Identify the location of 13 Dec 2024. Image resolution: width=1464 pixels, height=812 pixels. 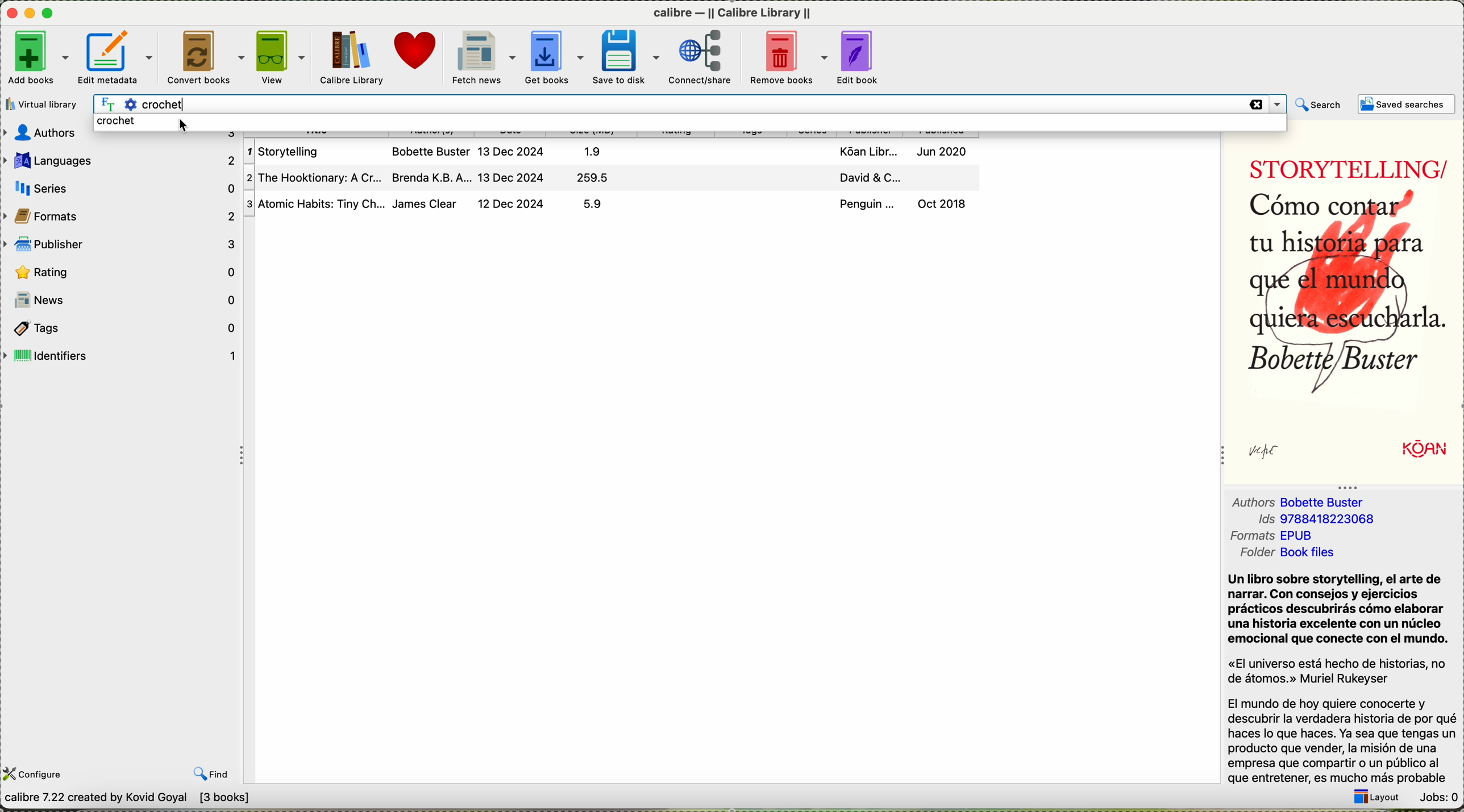
(514, 178).